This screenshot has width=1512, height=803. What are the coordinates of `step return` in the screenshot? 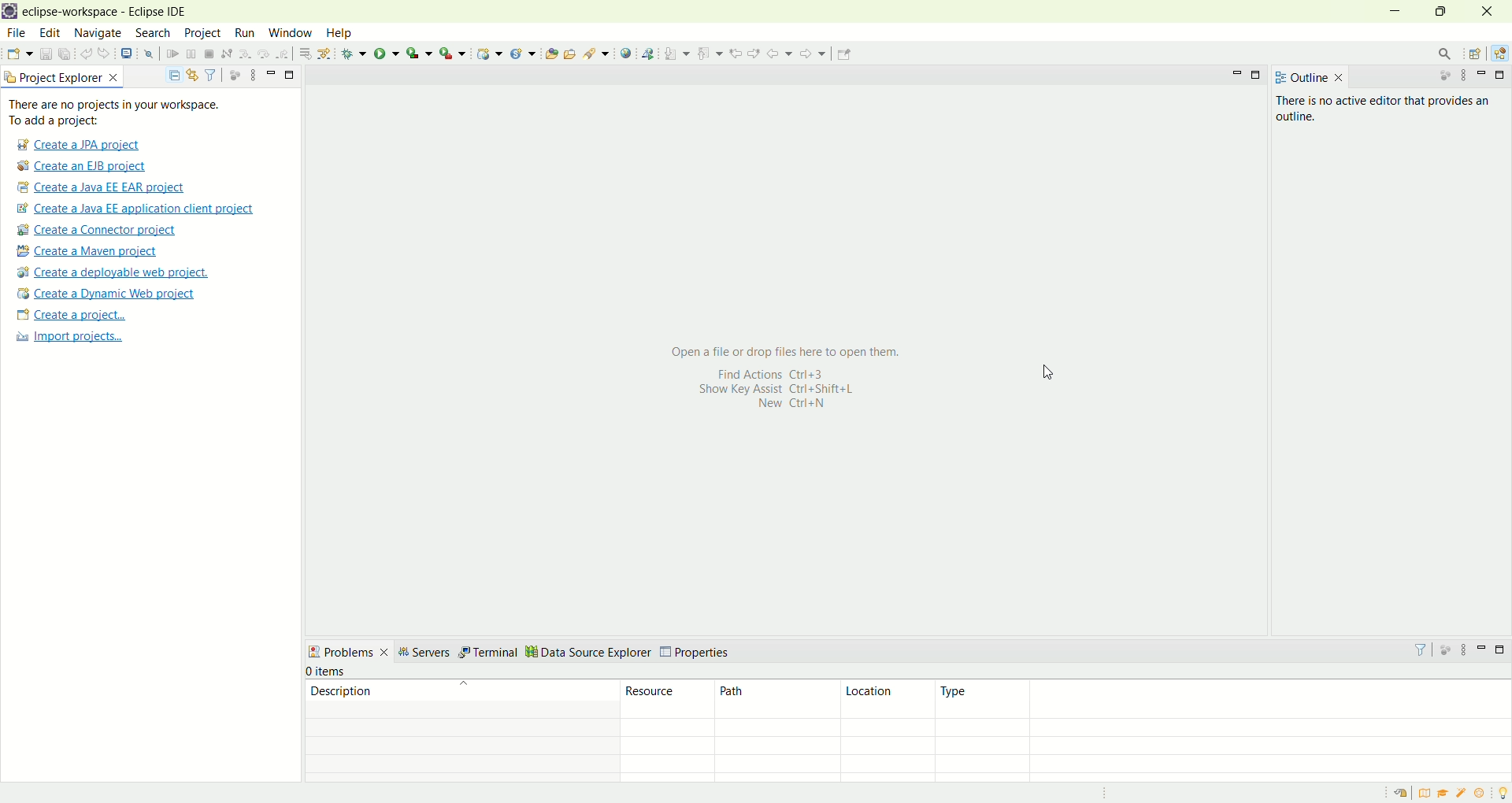 It's located at (283, 54).